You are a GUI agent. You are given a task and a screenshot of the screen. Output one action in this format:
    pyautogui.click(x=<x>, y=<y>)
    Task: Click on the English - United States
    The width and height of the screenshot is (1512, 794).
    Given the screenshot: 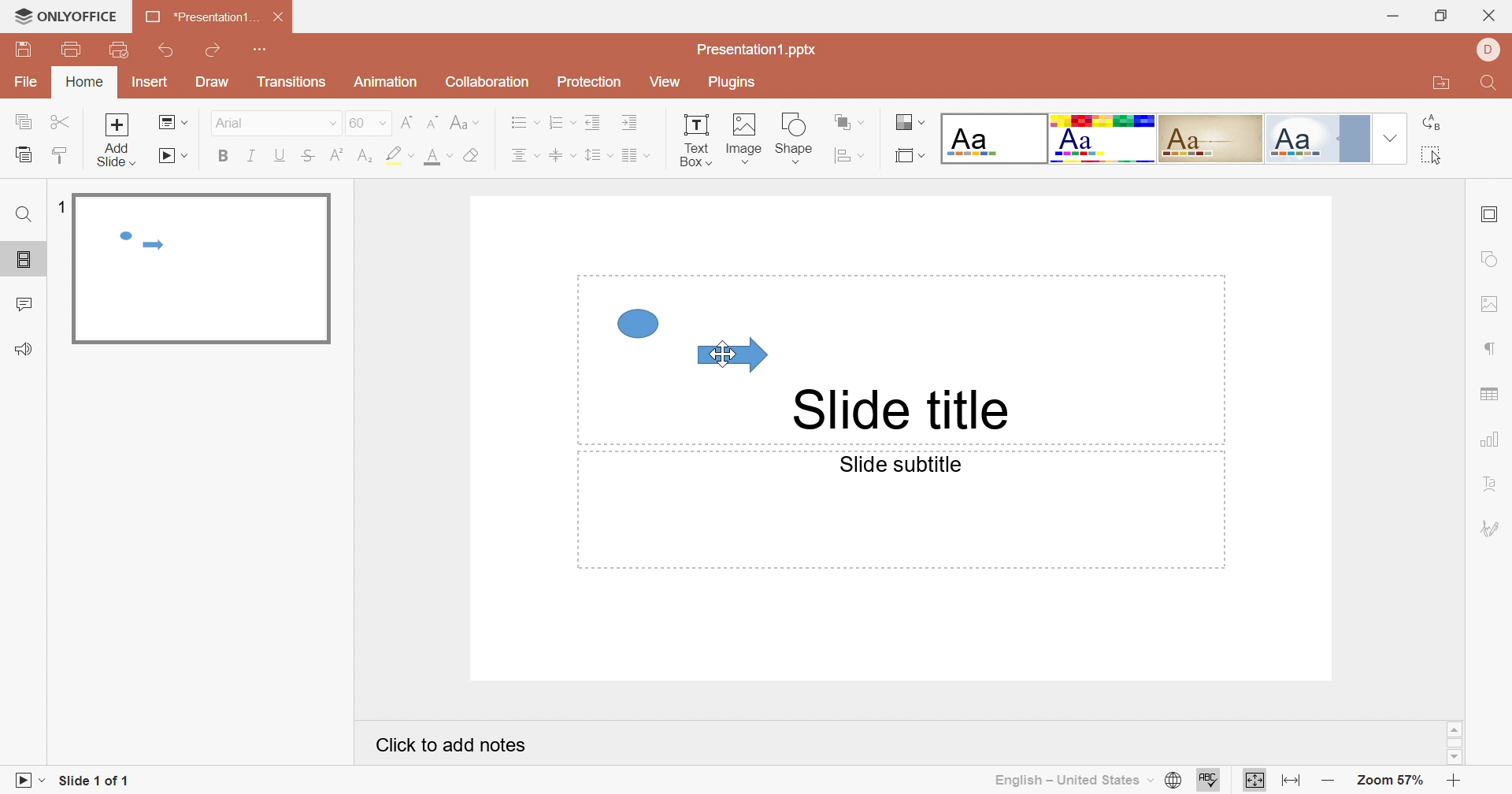 What is the action you would take?
    pyautogui.click(x=1069, y=779)
    